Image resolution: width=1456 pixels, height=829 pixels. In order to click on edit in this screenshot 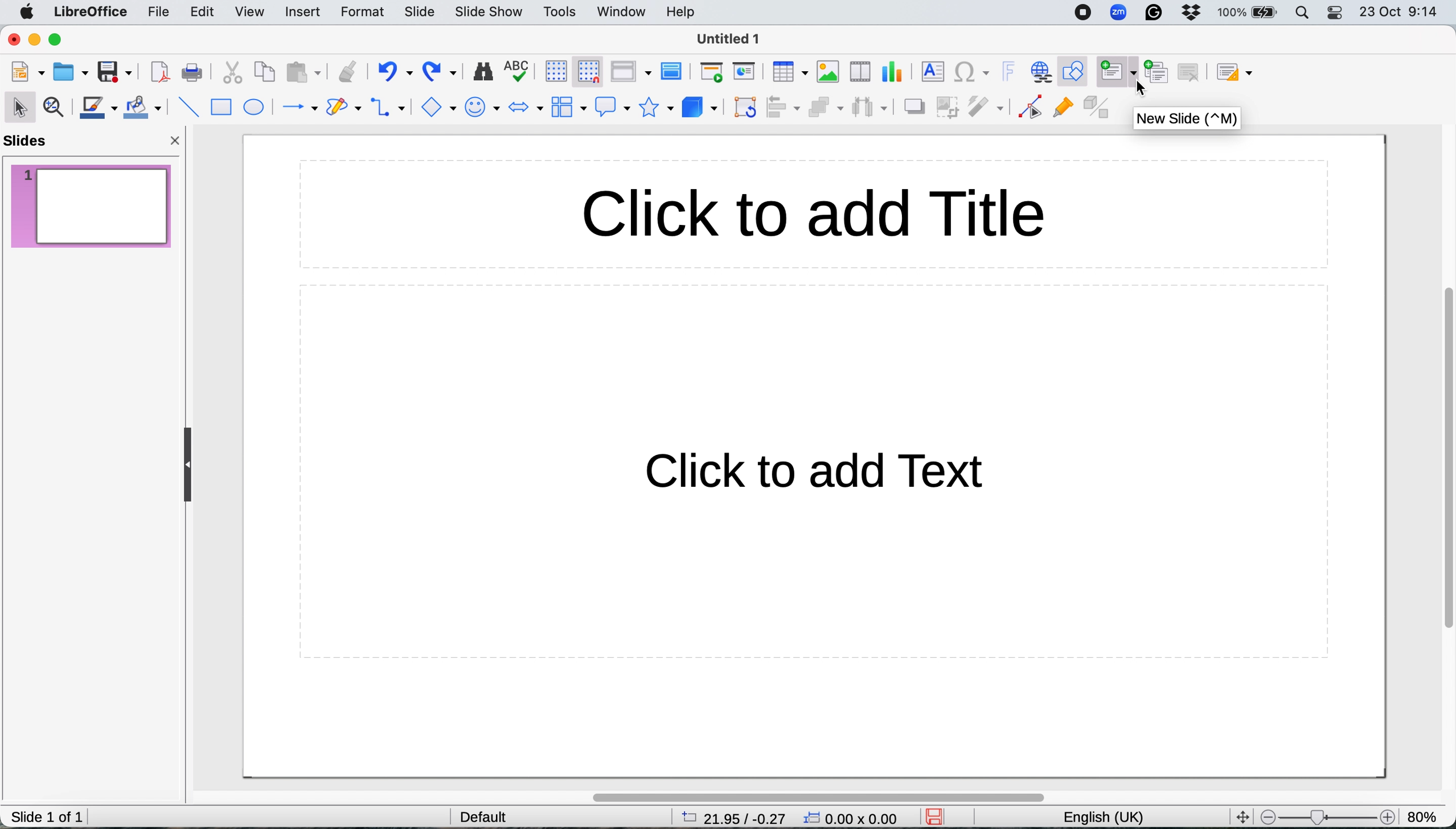, I will do `click(205, 13)`.